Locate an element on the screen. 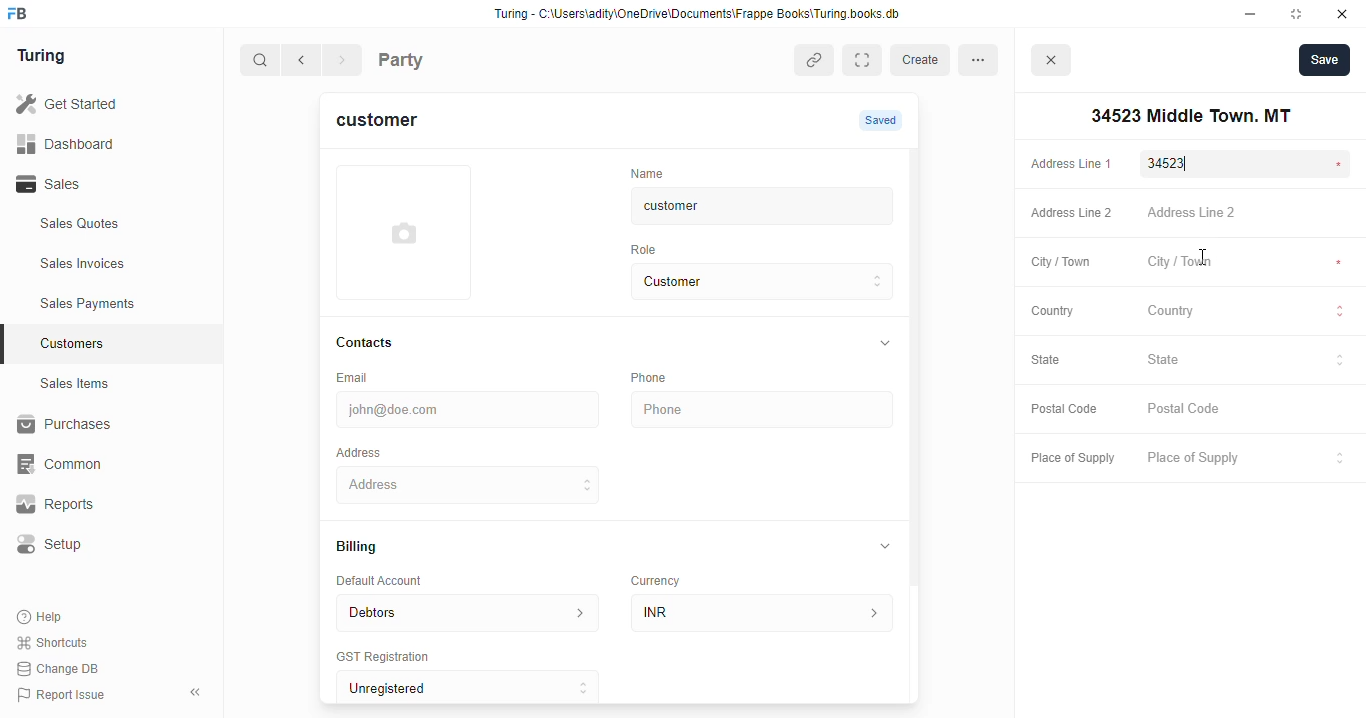 The height and width of the screenshot is (718, 1366). Postal Code is located at coordinates (1247, 410).